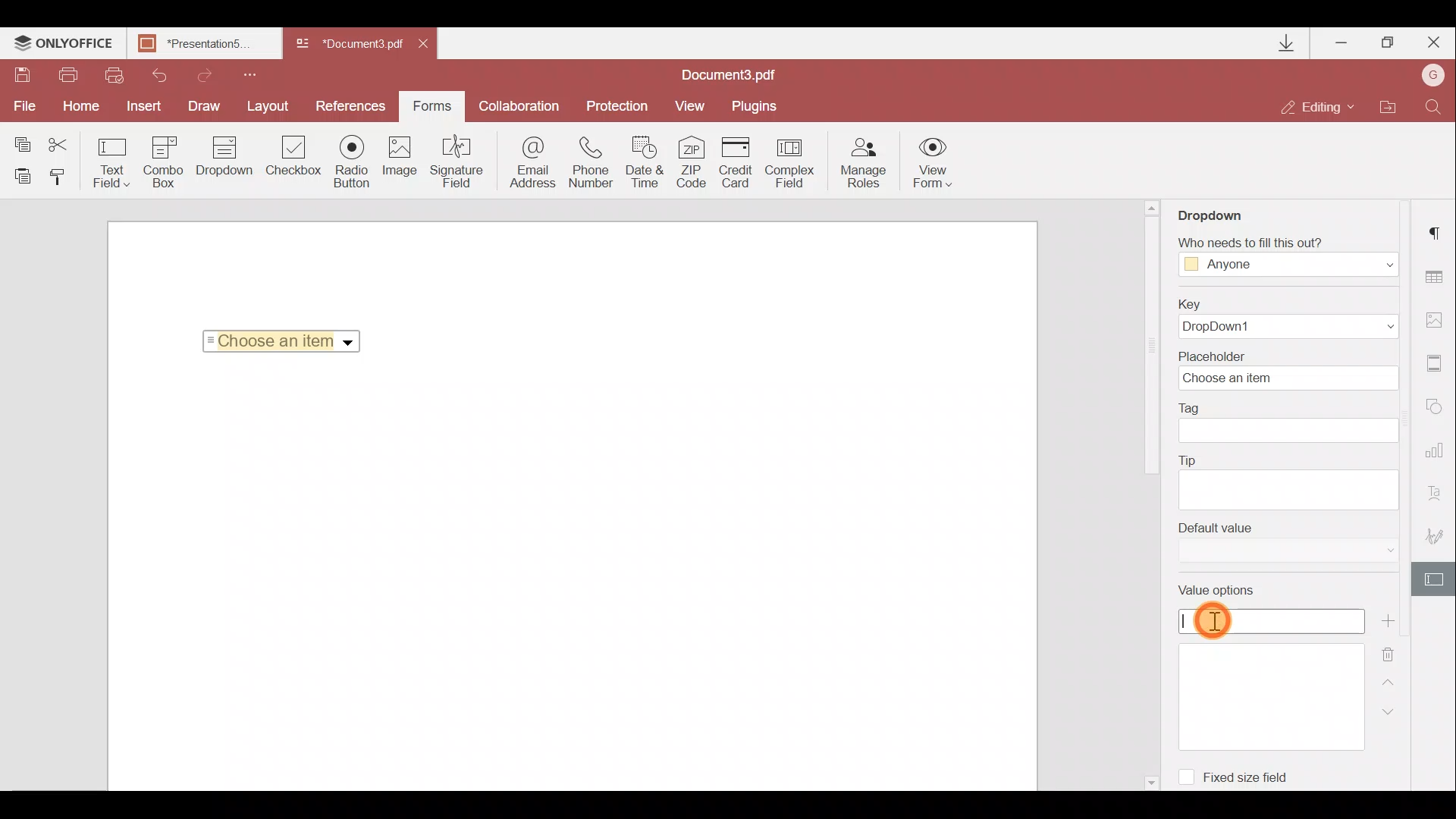 The image size is (1456, 819). What do you see at coordinates (21, 77) in the screenshot?
I see `Save` at bounding box center [21, 77].